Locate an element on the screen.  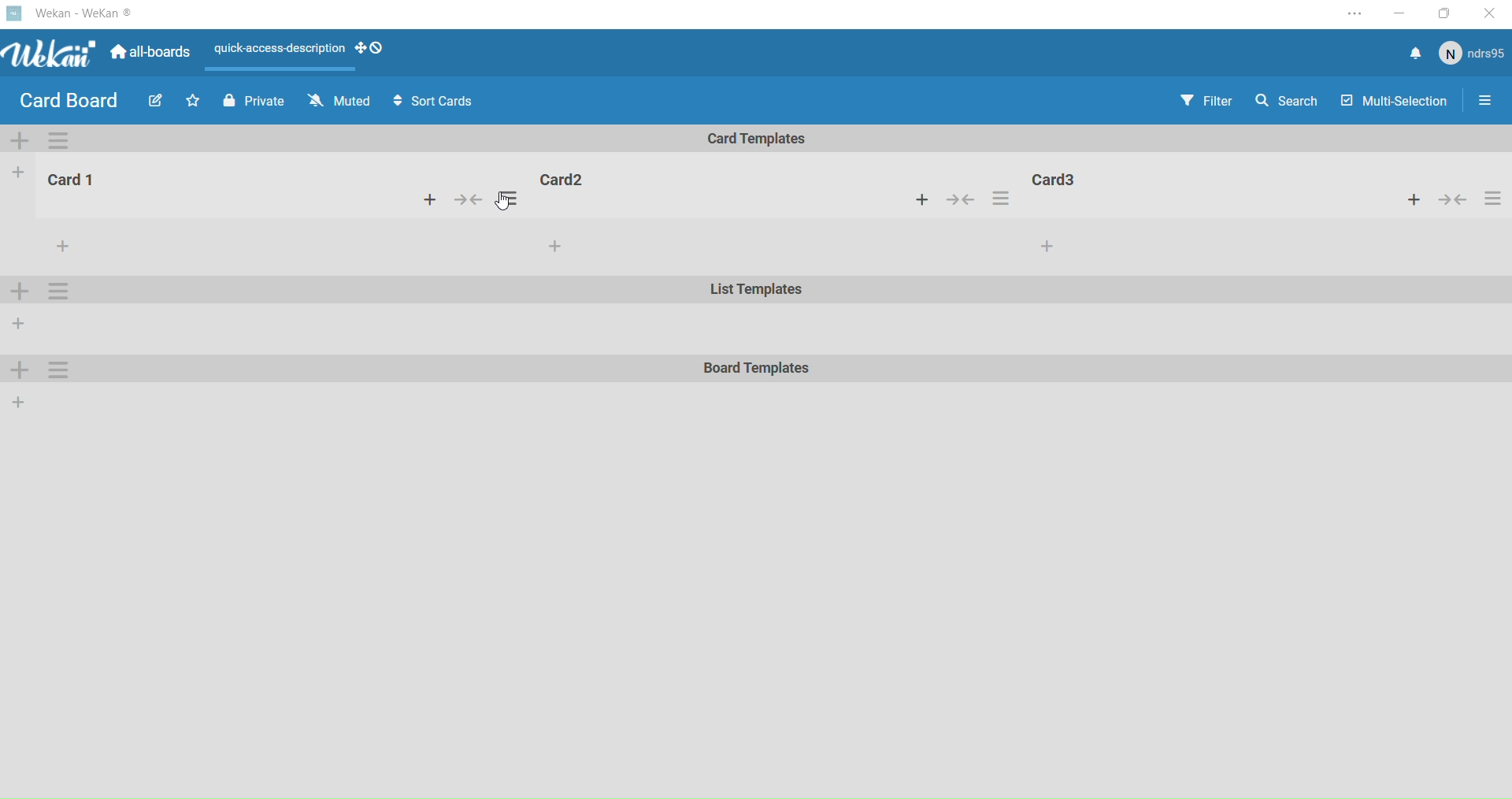
add is located at coordinates (1040, 246).